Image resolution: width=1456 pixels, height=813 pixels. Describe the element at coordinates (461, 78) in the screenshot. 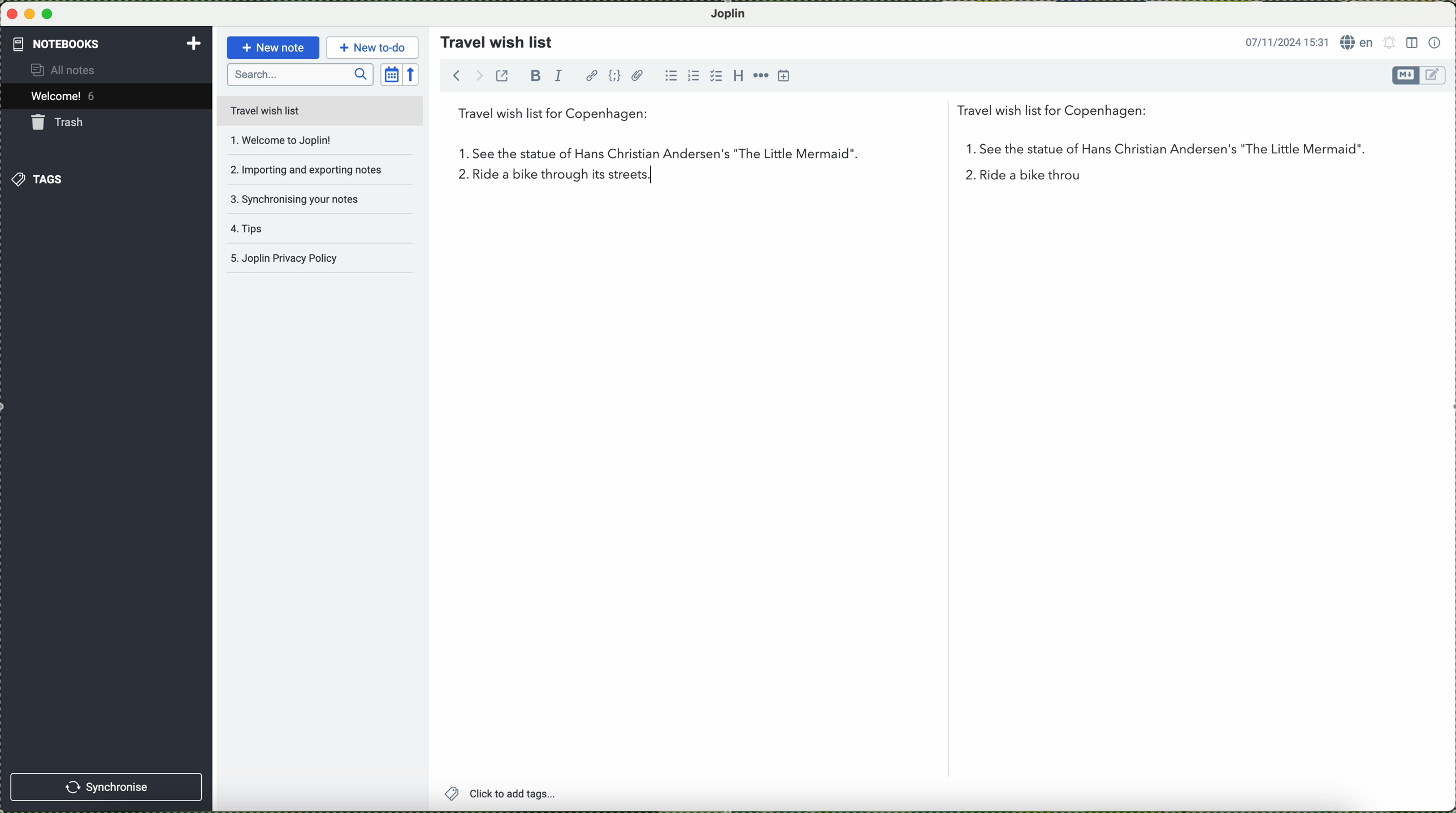

I see `navigate` at that location.